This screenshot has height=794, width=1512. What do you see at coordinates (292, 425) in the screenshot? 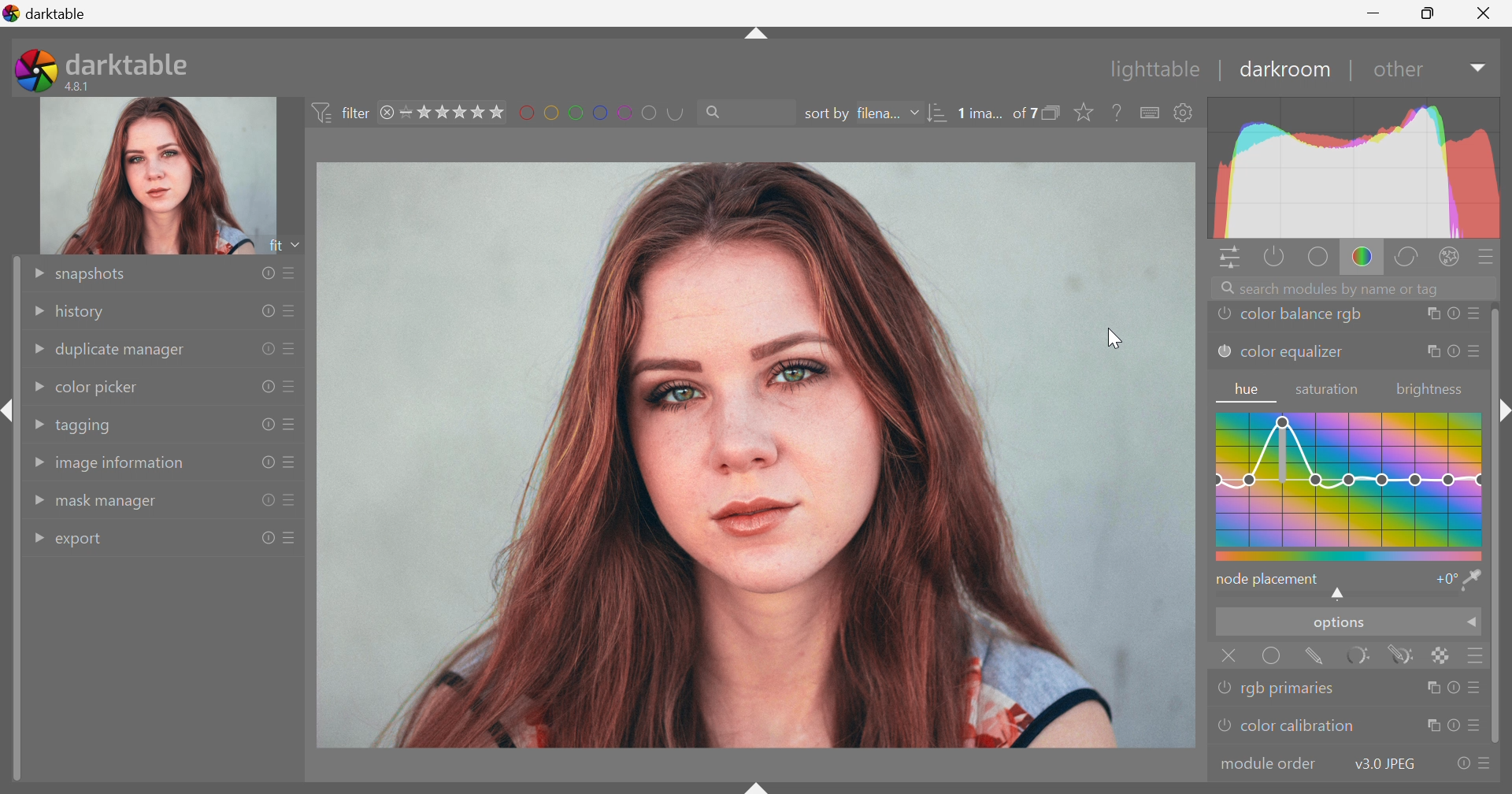
I see `presets` at bounding box center [292, 425].